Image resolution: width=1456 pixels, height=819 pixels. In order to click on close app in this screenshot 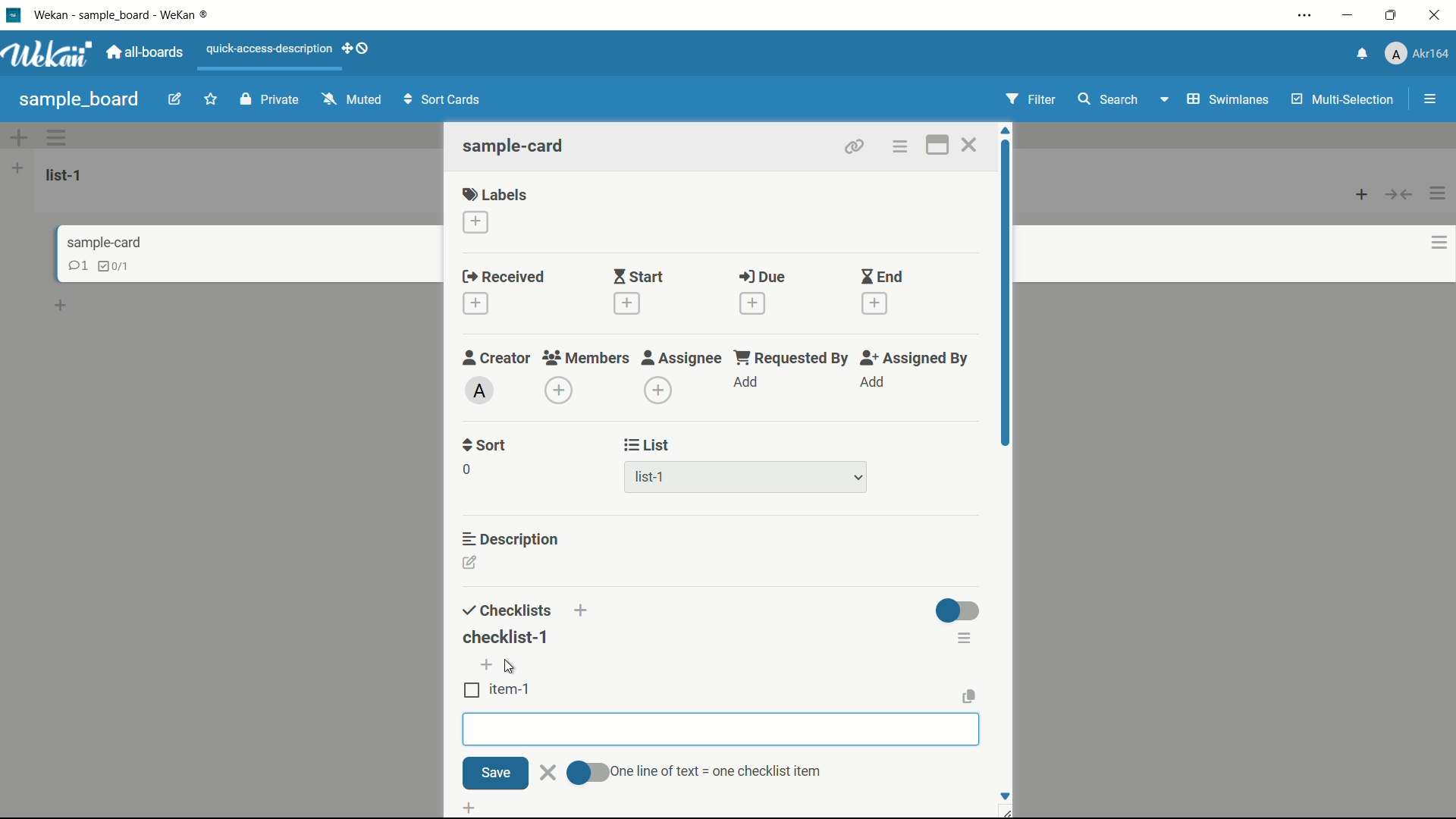, I will do `click(1438, 16)`.